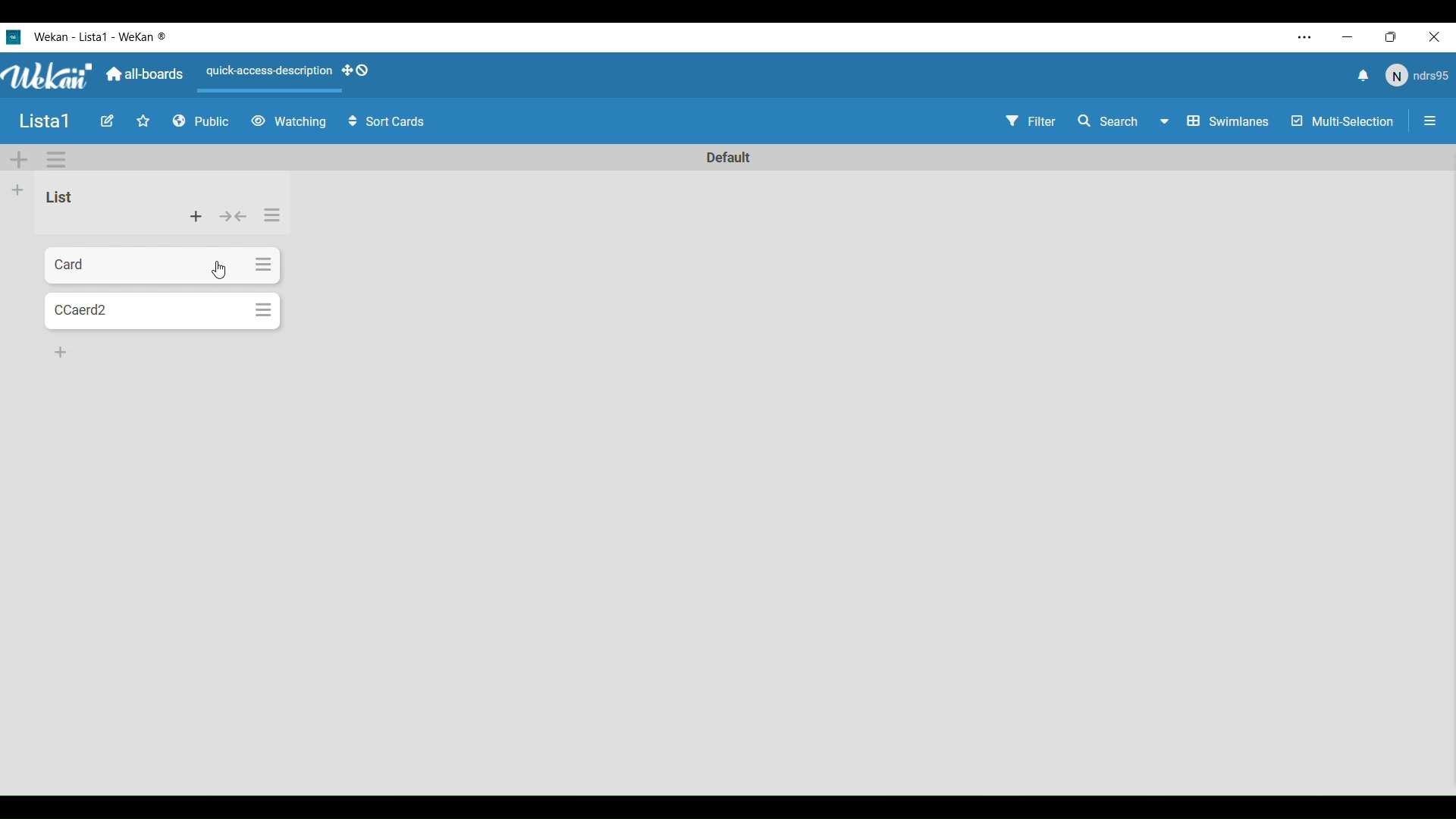 This screenshot has height=819, width=1456. What do you see at coordinates (196, 217) in the screenshot?
I see `Add card to top of list` at bounding box center [196, 217].